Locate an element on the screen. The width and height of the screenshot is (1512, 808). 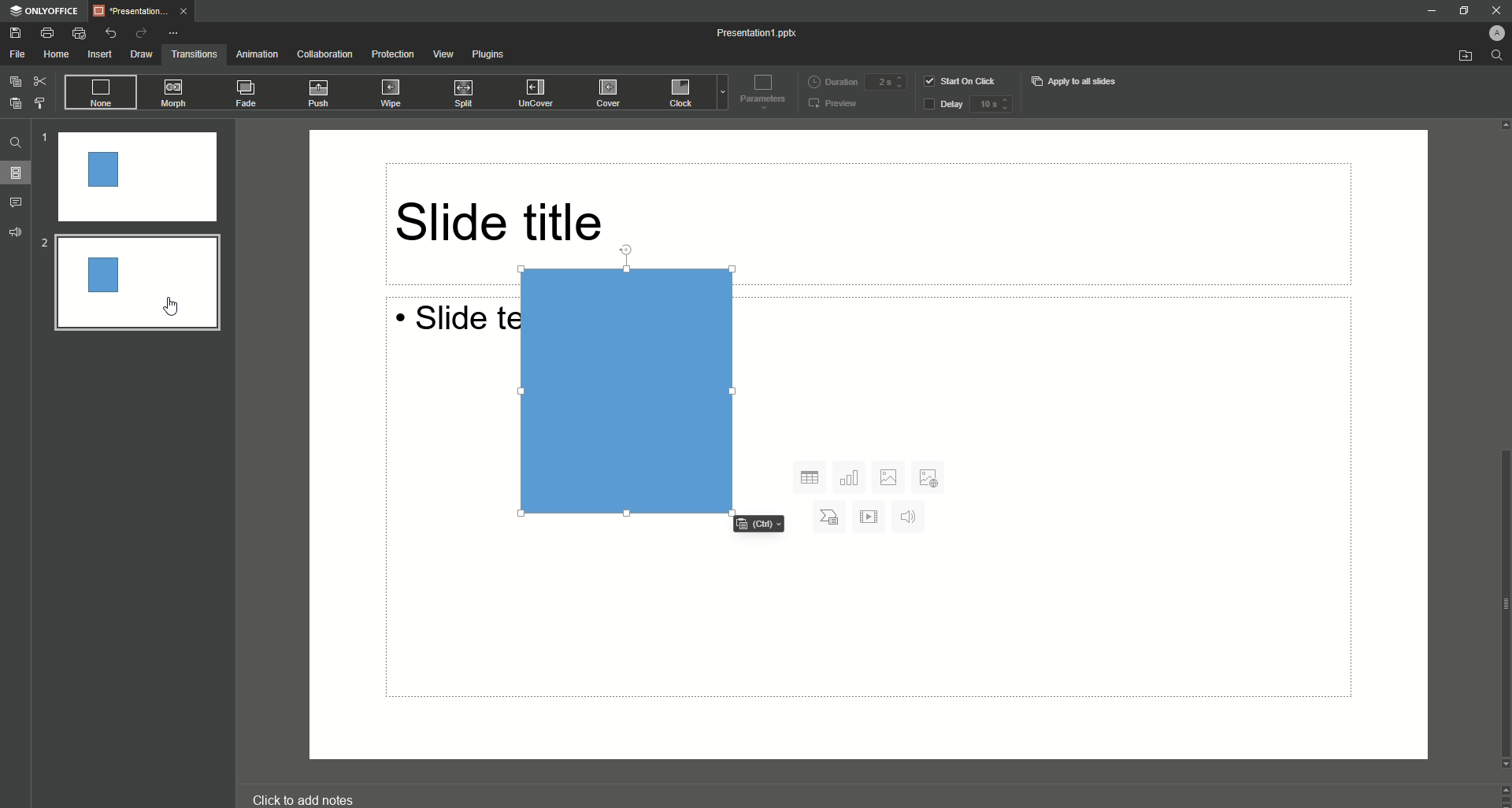
Animation is located at coordinates (258, 54).